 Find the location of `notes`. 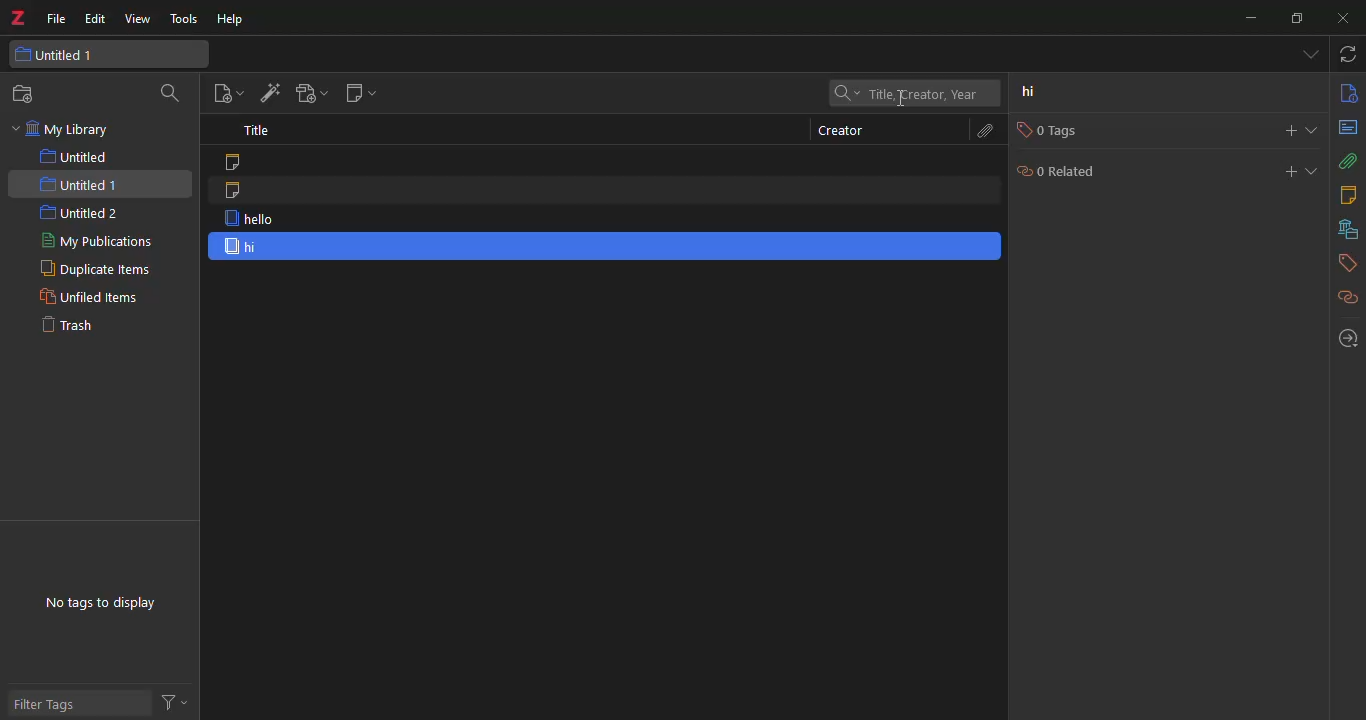

notes is located at coordinates (1351, 195).